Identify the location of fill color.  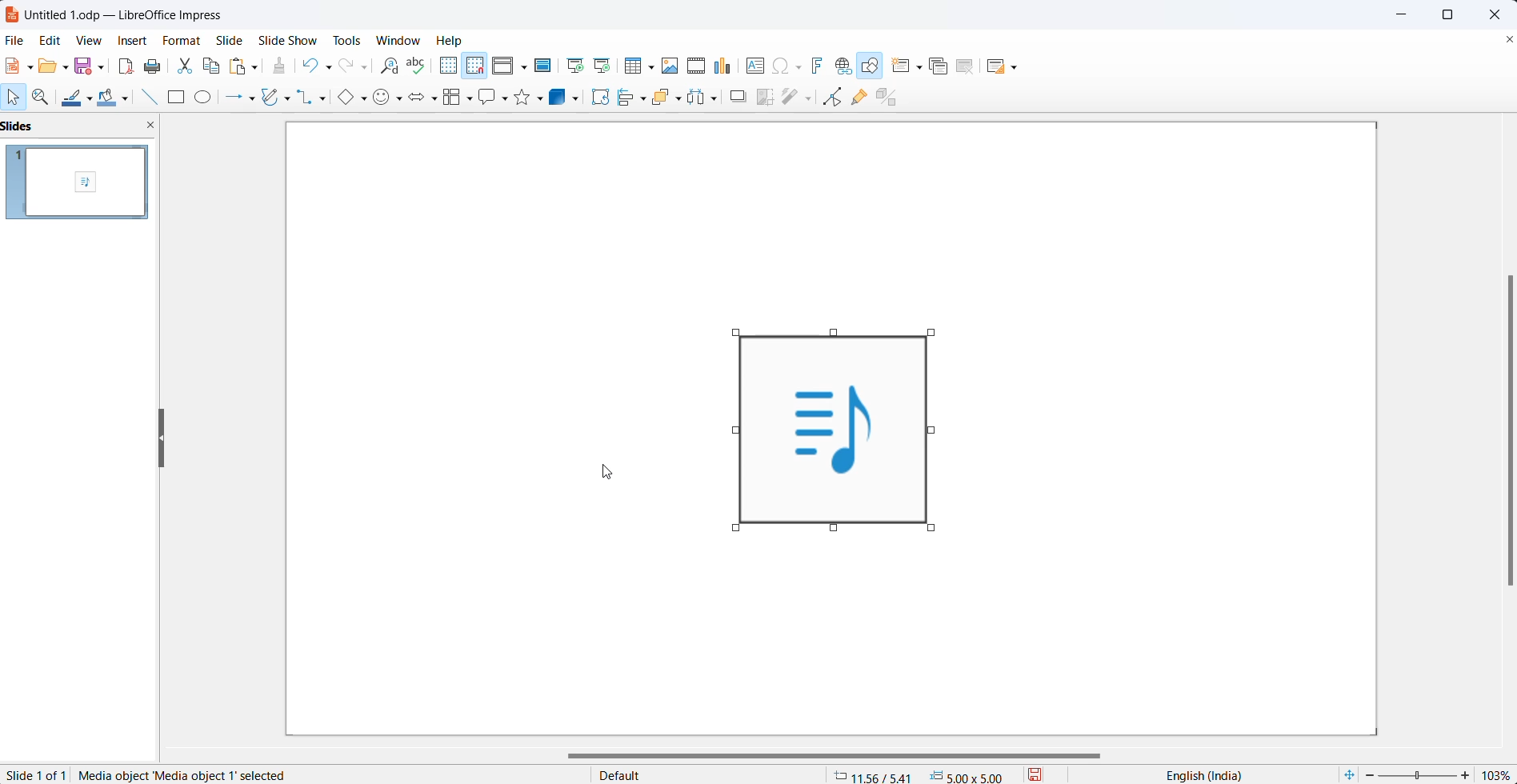
(110, 99).